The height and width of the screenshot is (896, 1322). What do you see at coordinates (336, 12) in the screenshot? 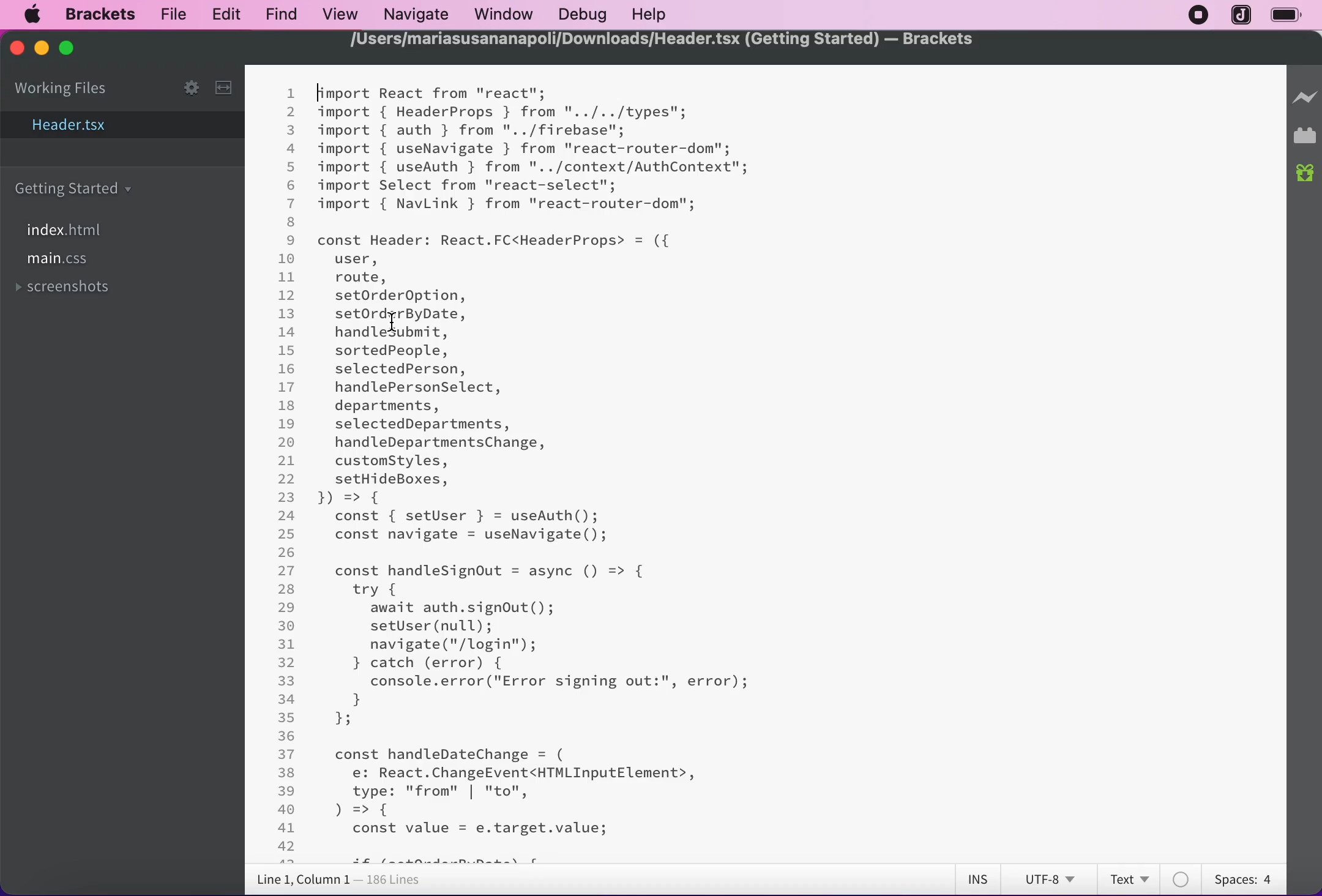
I see `view` at bounding box center [336, 12].